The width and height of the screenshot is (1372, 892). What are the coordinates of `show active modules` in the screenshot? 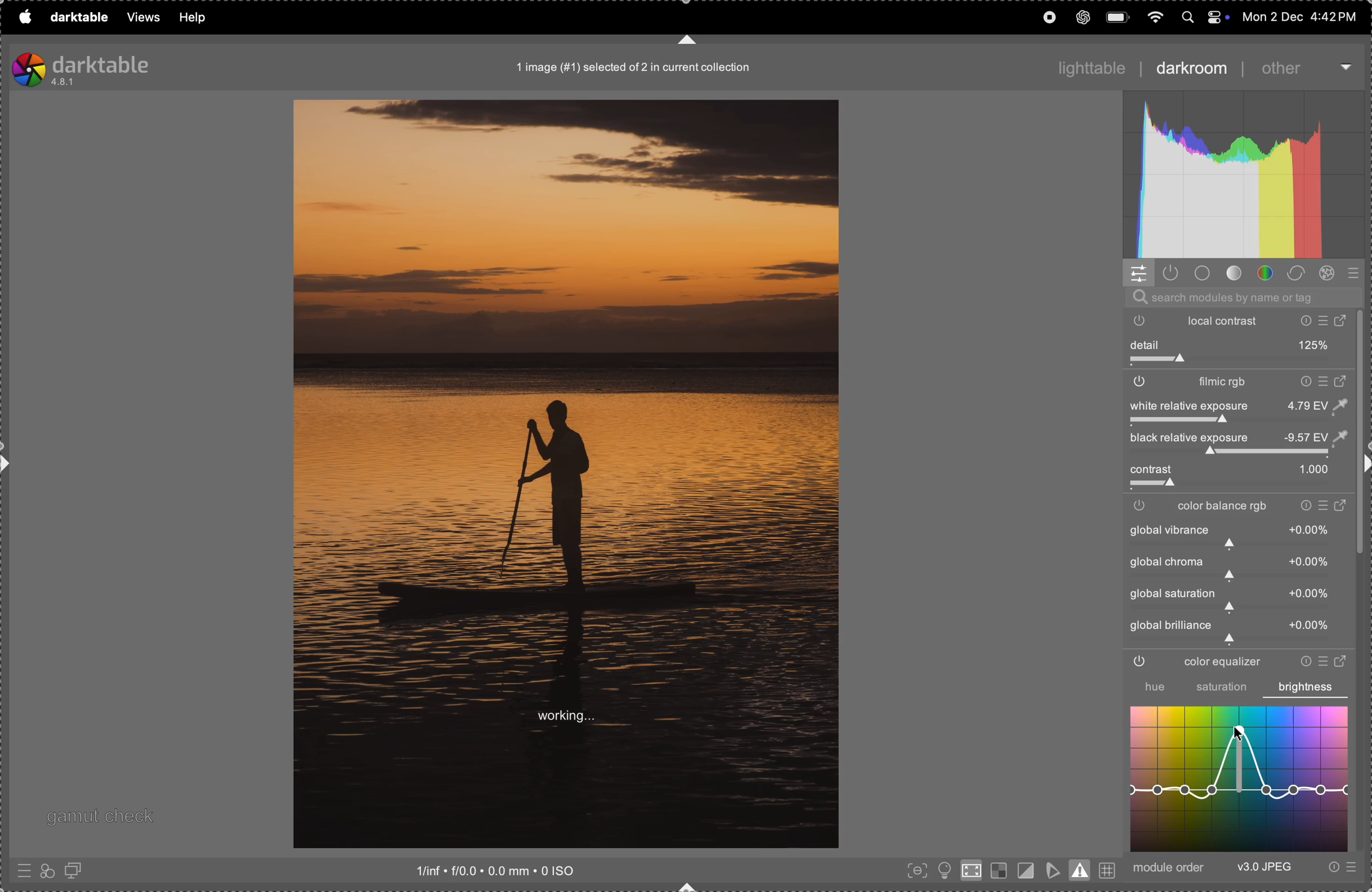 It's located at (1173, 274).